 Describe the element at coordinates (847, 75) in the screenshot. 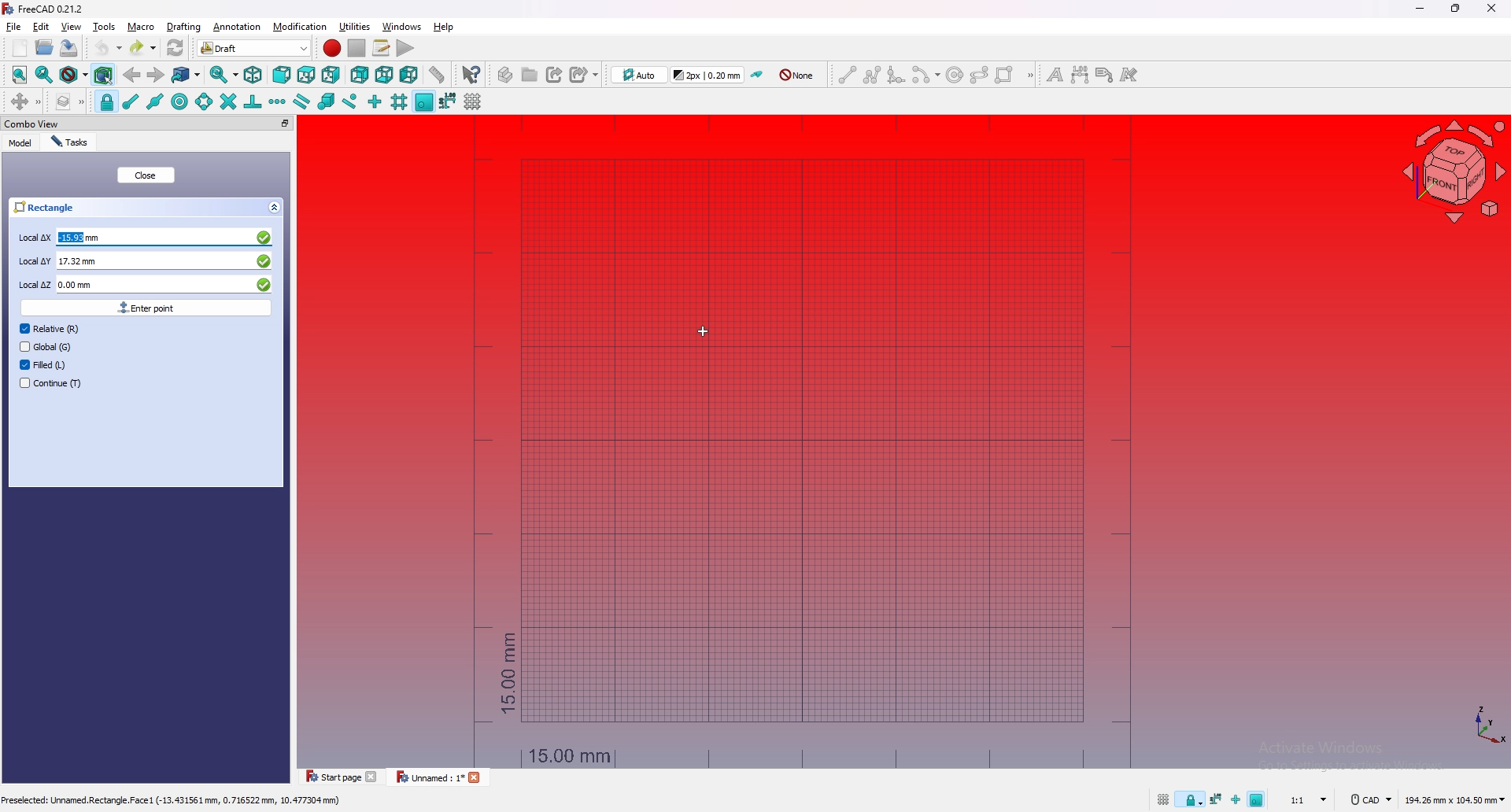

I see `line` at that location.